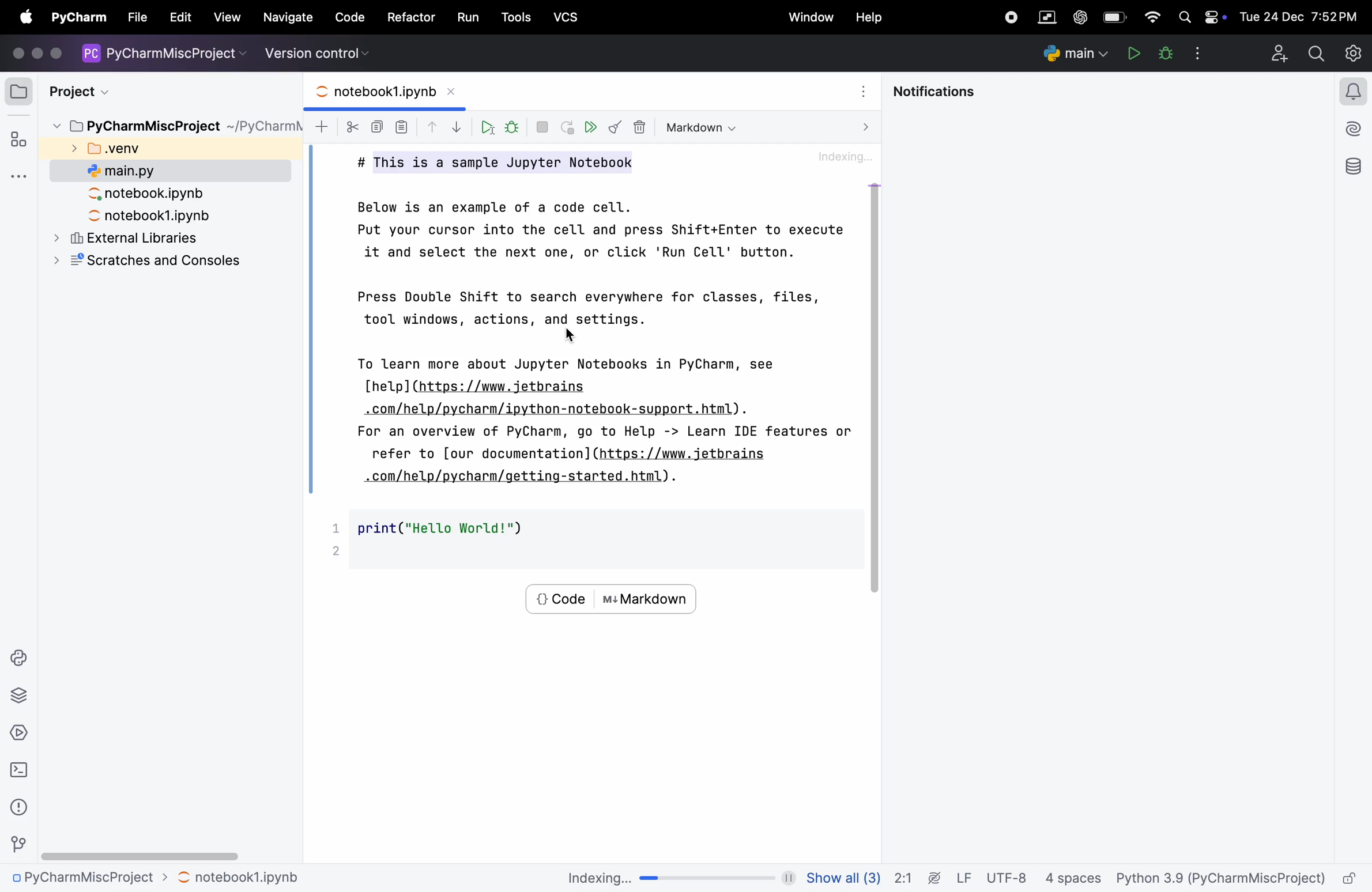 The image size is (1372, 892). I want to click on   print("Hello World!")), so click(597, 542).